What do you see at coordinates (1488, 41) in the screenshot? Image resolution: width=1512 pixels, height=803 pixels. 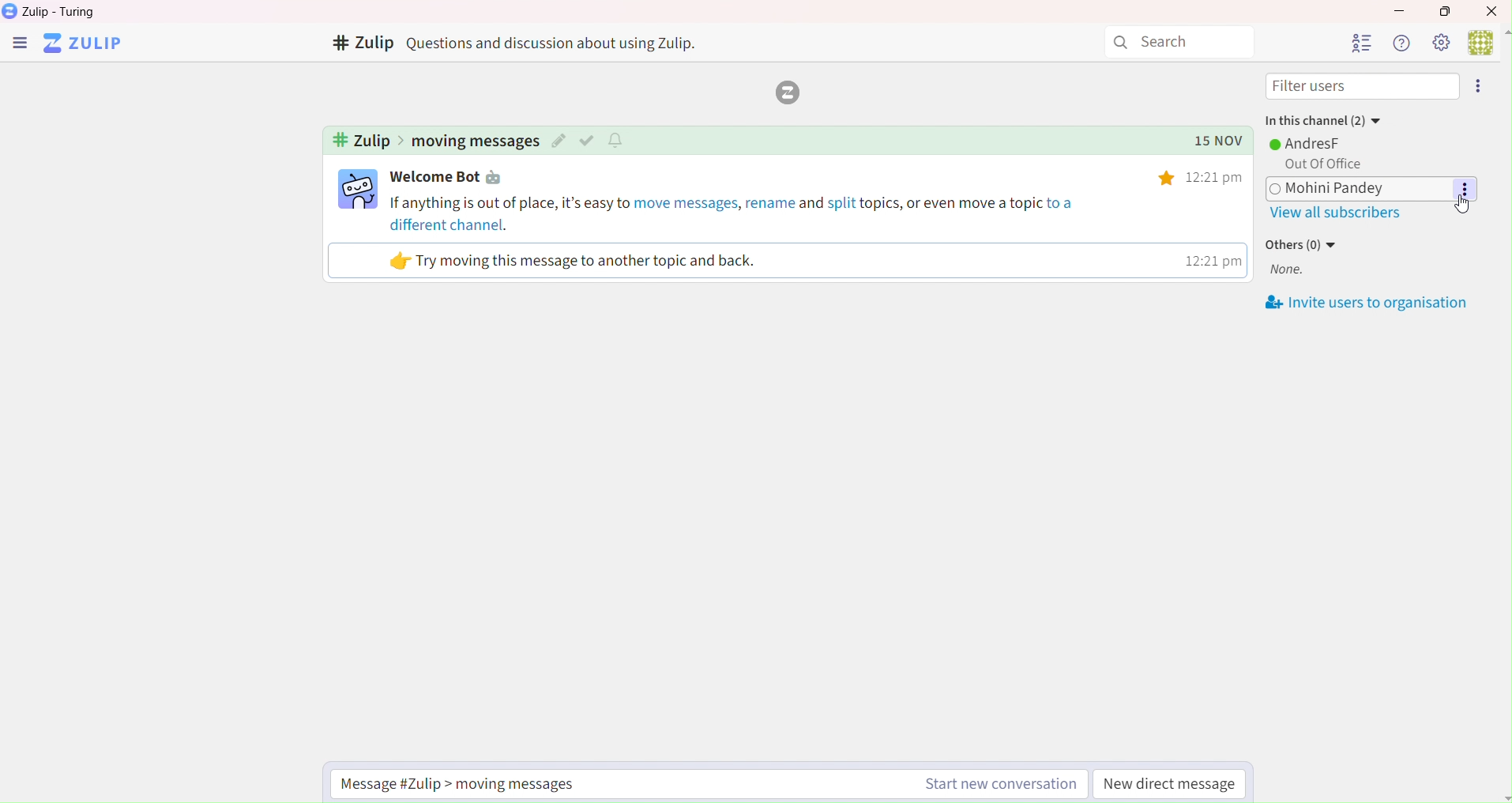 I see `User` at bounding box center [1488, 41].